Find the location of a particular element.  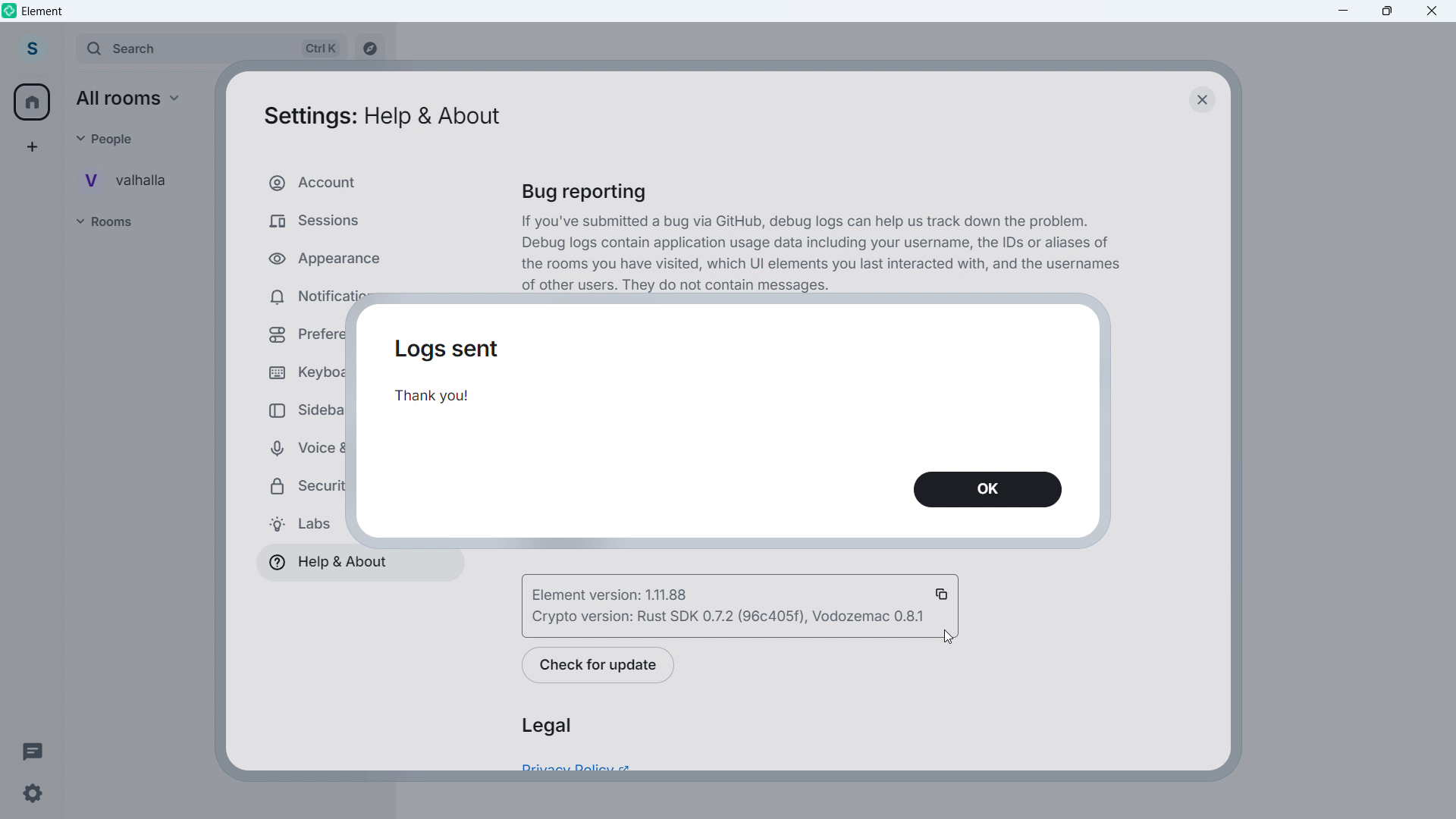

the rooms you have visited, which UI elements you last interacted with, and the usernames is located at coordinates (822, 265).